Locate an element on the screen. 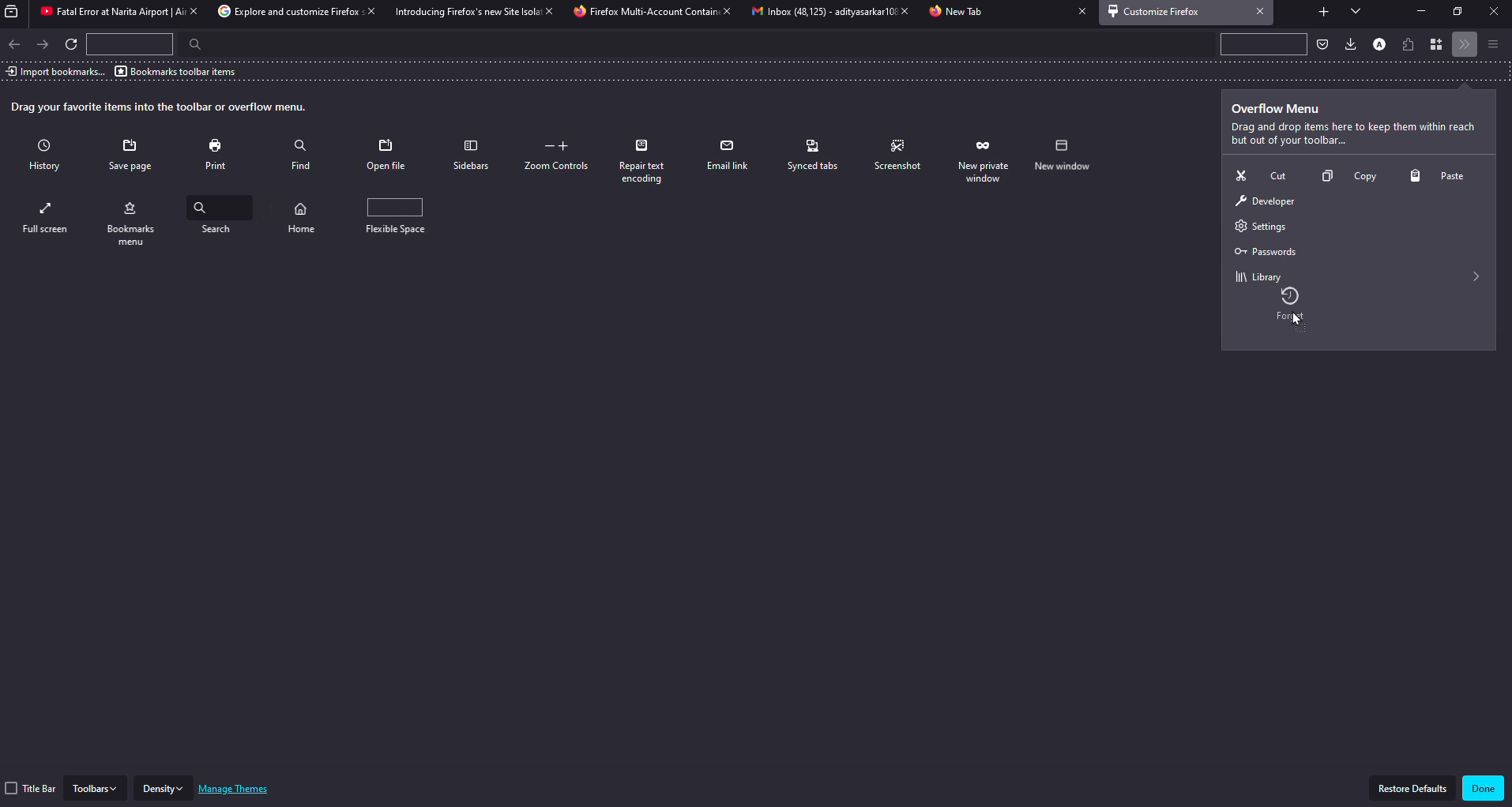 This screenshot has height=807, width=1512. downloads is located at coordinates (1348, 43).